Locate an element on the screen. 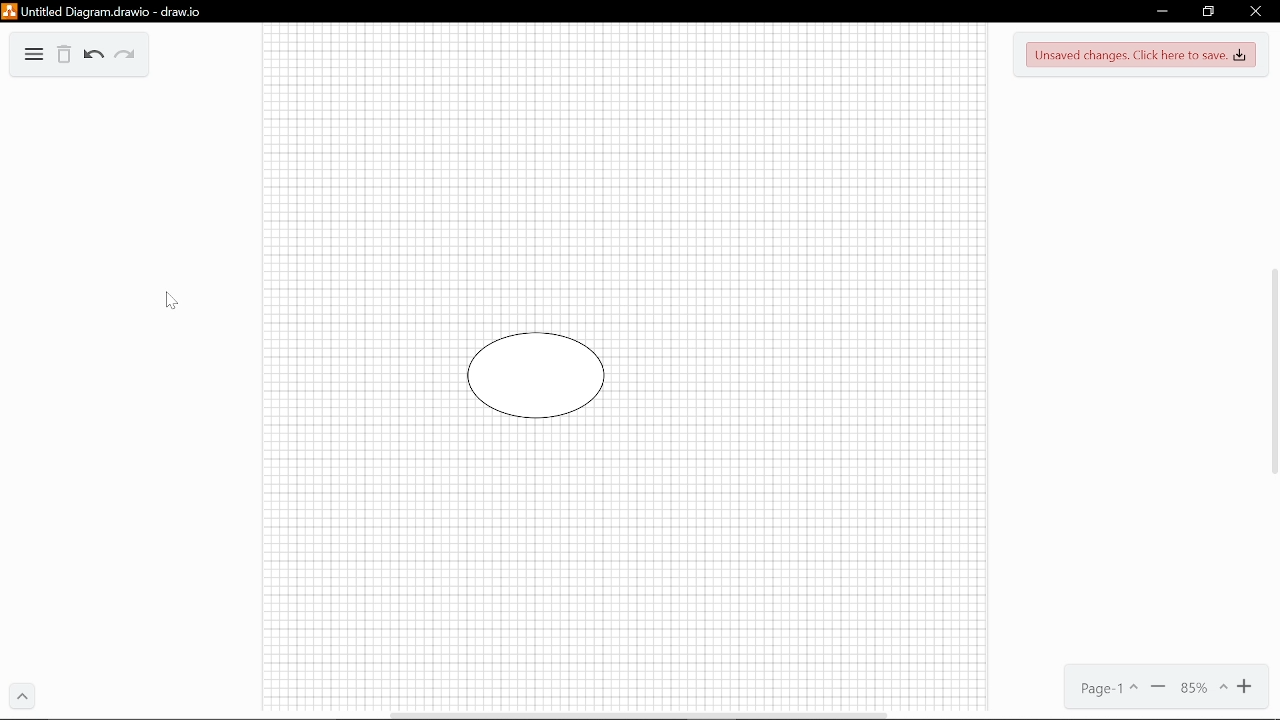 This screenshot has width=1280, height=720. the rectangle shape is now deleted from the canvas. is located at coordinates (741, 205).